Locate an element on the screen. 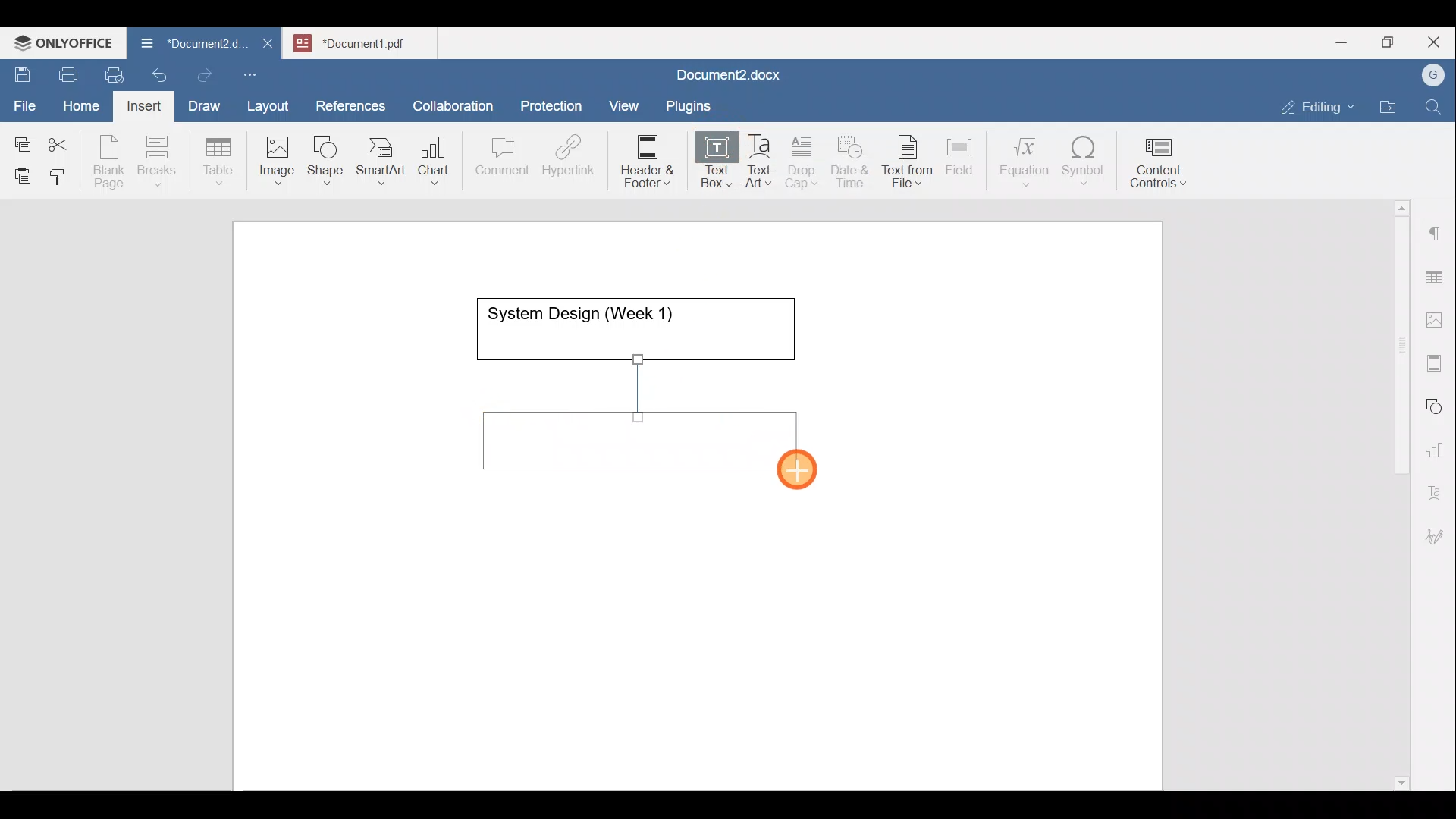 This screenshot has width=1456, height=819. Signature settings is located at coordinates (1439, 531).